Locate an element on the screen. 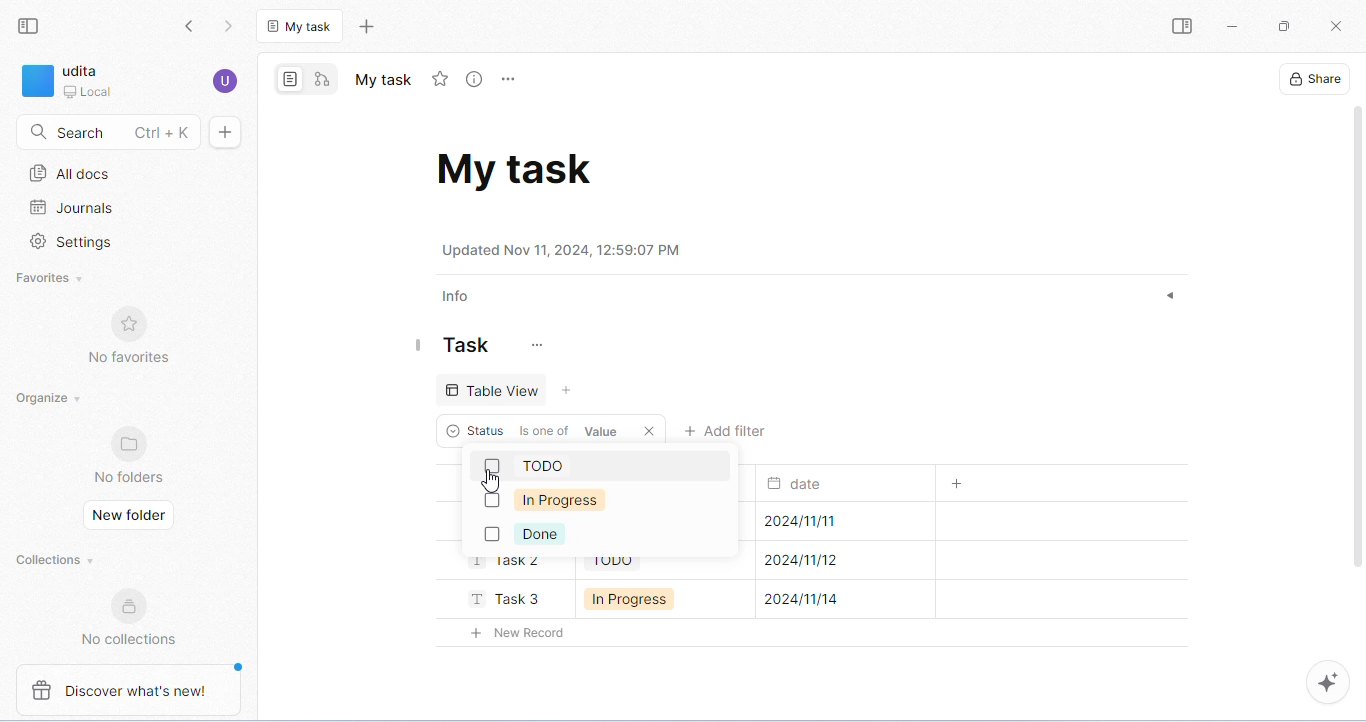 This screenshot has width=1366, height=722. tab name is located at coordinates (382, 79).